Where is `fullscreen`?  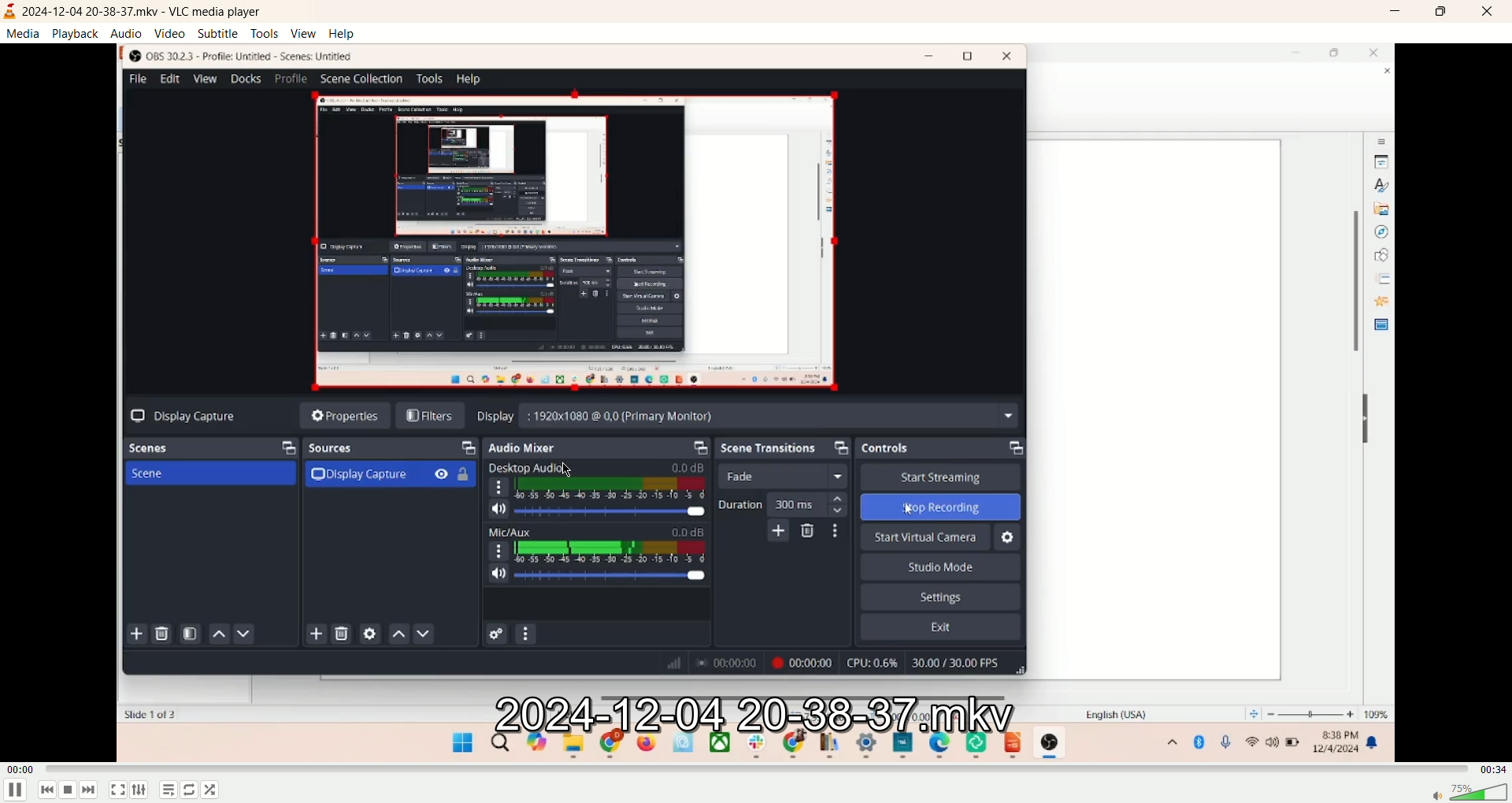
fullscreen is located at coordinates (117, 790).